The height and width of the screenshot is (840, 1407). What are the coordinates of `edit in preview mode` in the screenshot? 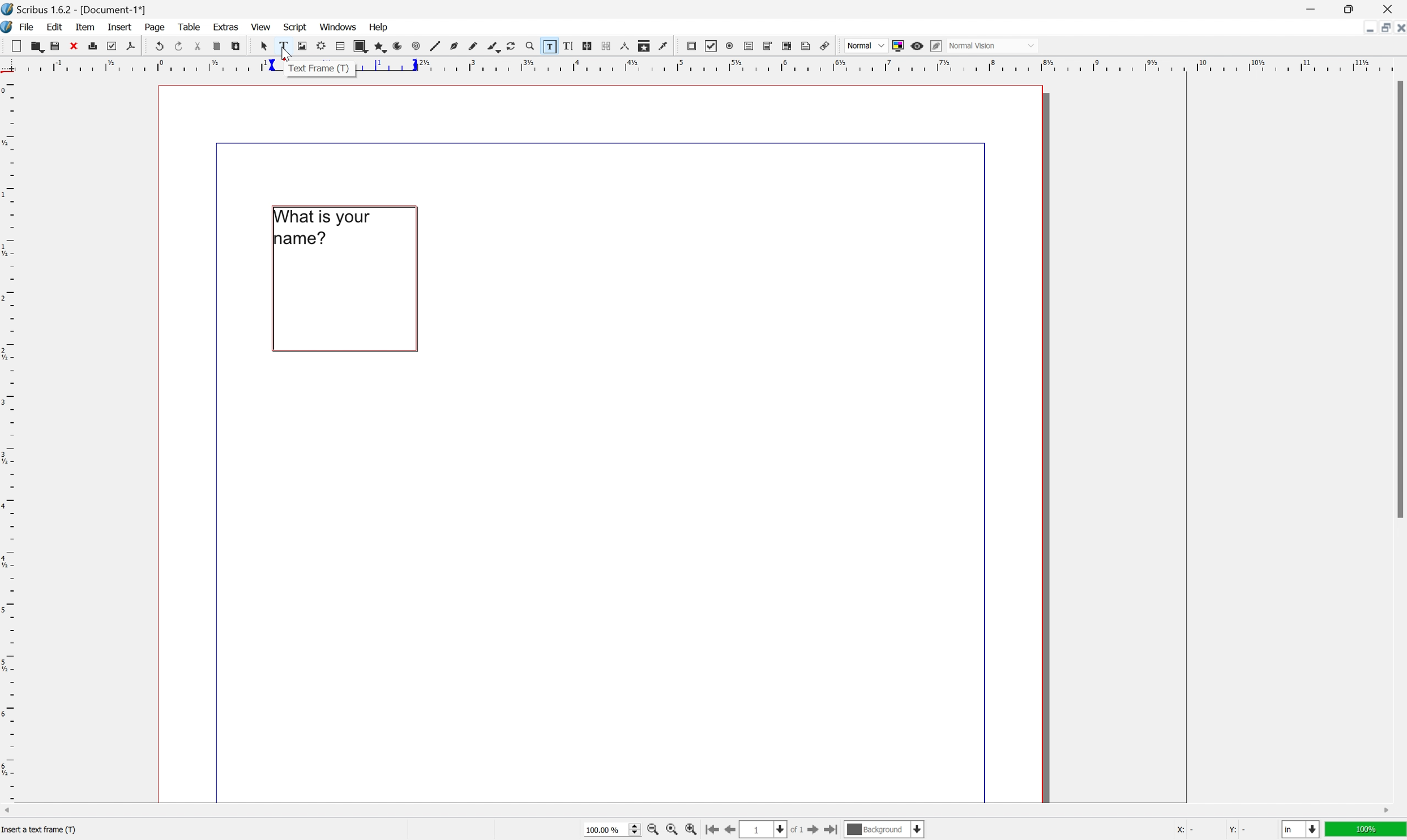 It's located at (935, 45).